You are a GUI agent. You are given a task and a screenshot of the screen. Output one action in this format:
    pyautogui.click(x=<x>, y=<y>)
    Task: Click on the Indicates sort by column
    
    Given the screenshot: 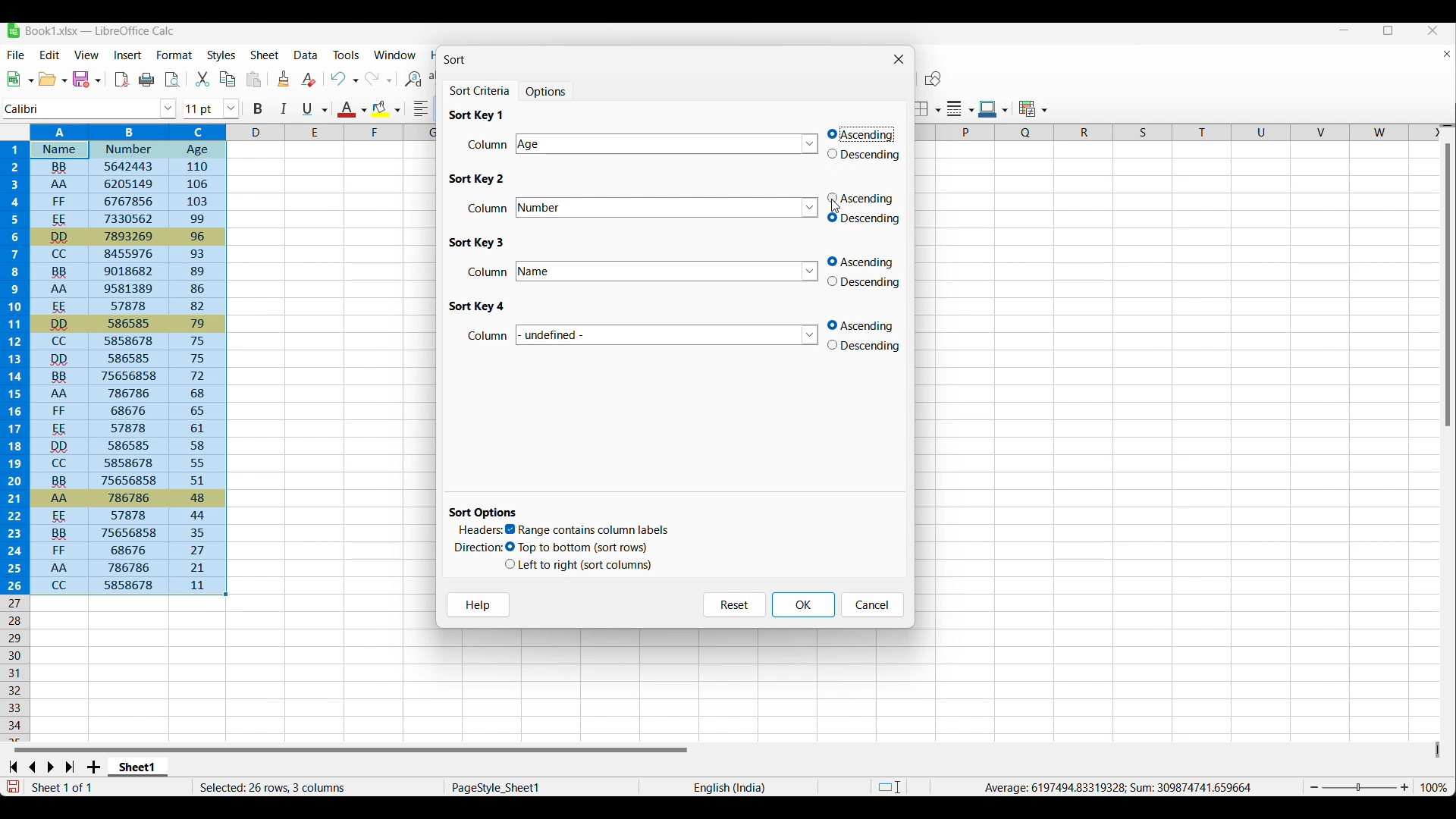 What is the action you would take?
    pyautogui.click(x=488, y=336)
    